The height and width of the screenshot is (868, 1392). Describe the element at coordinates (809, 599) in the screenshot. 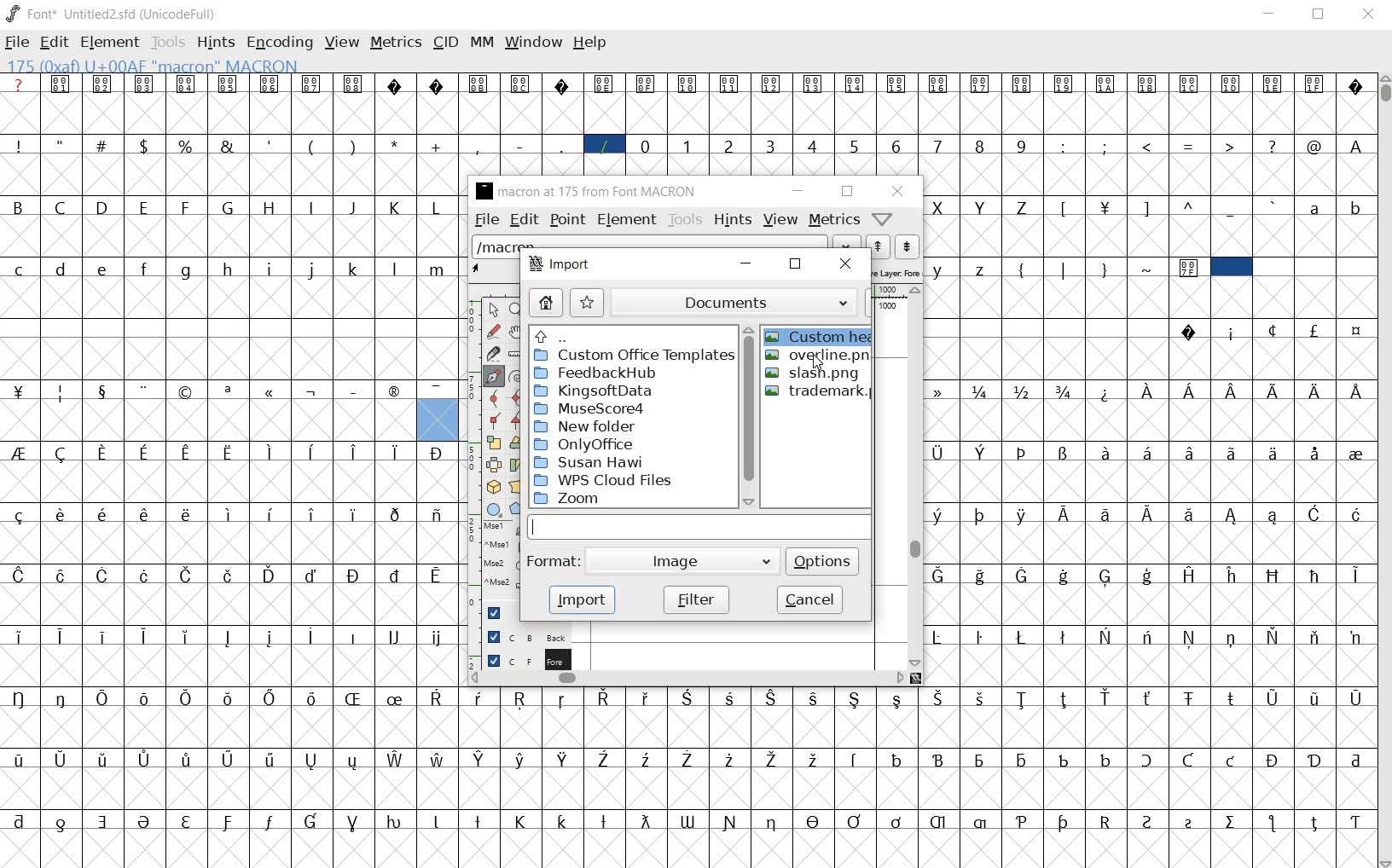

I see `cancel` at that location.